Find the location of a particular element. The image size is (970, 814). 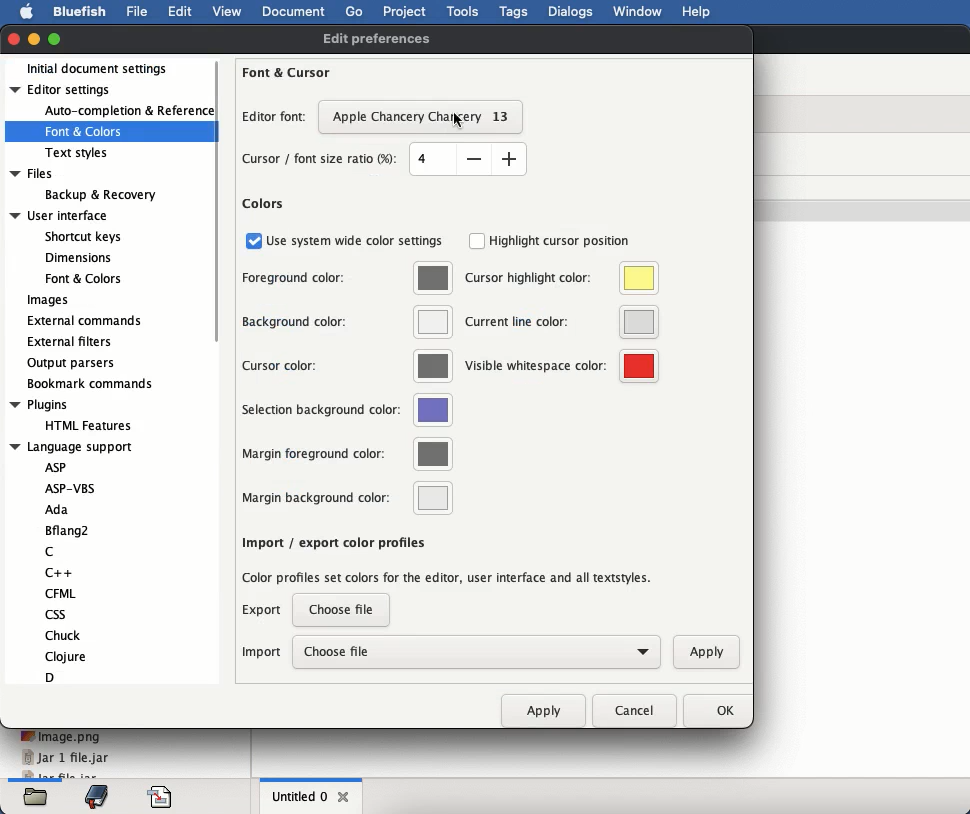

editor settings is located at coordinates (104, 121).